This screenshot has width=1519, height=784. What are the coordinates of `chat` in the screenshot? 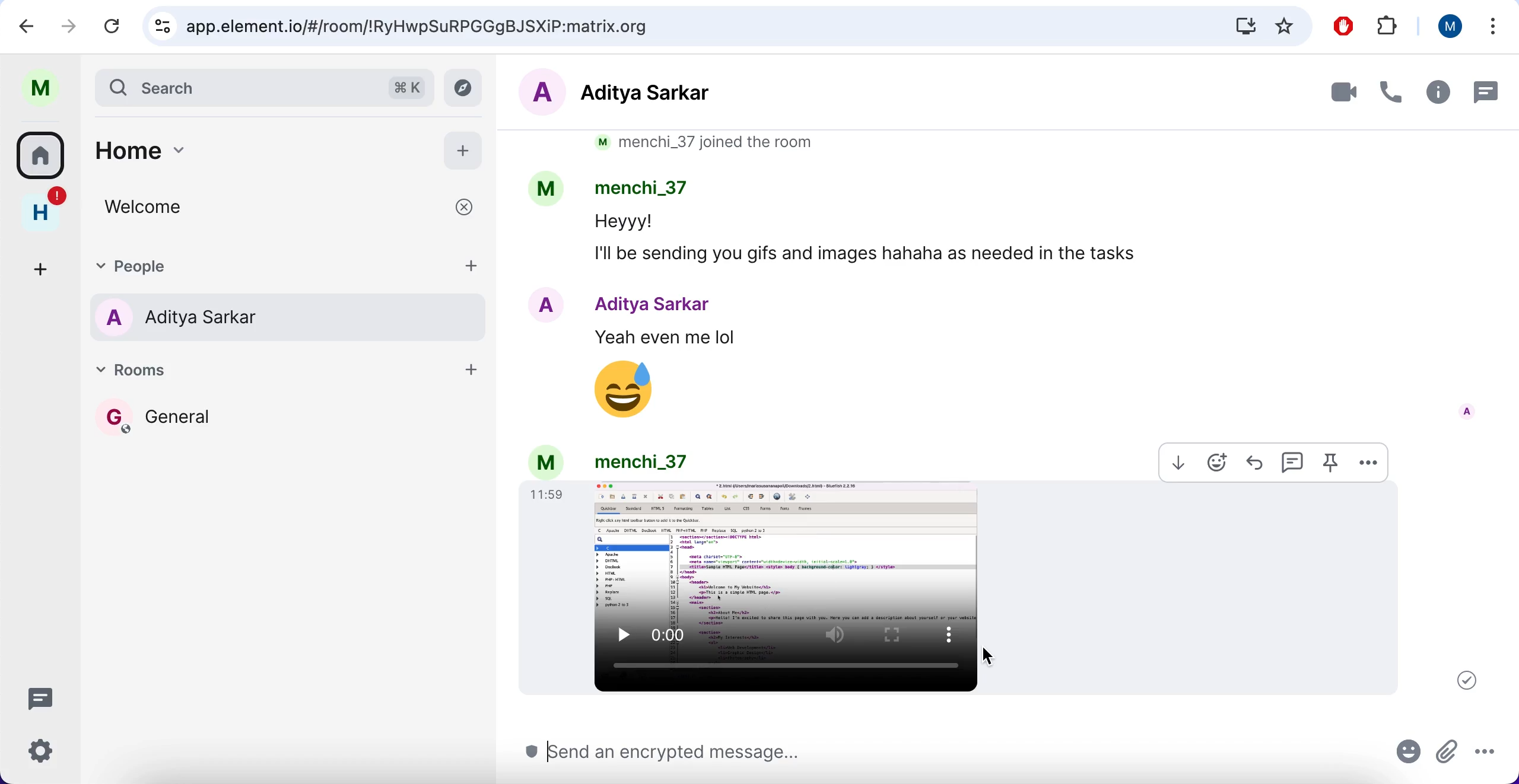 It's located at (1485, 91).